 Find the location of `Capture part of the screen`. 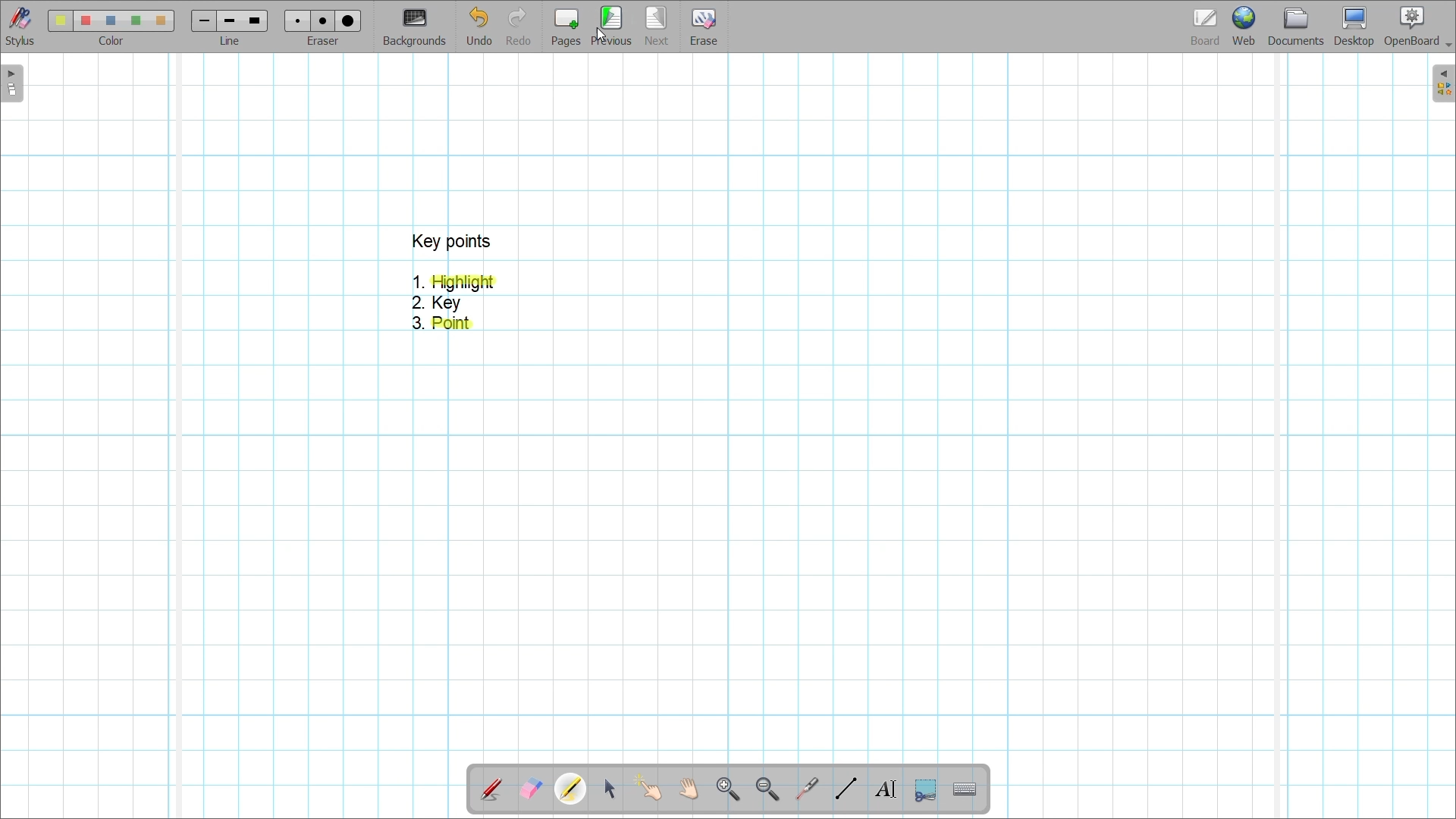

Capture part of the screen is located at coordinates (926, 791).